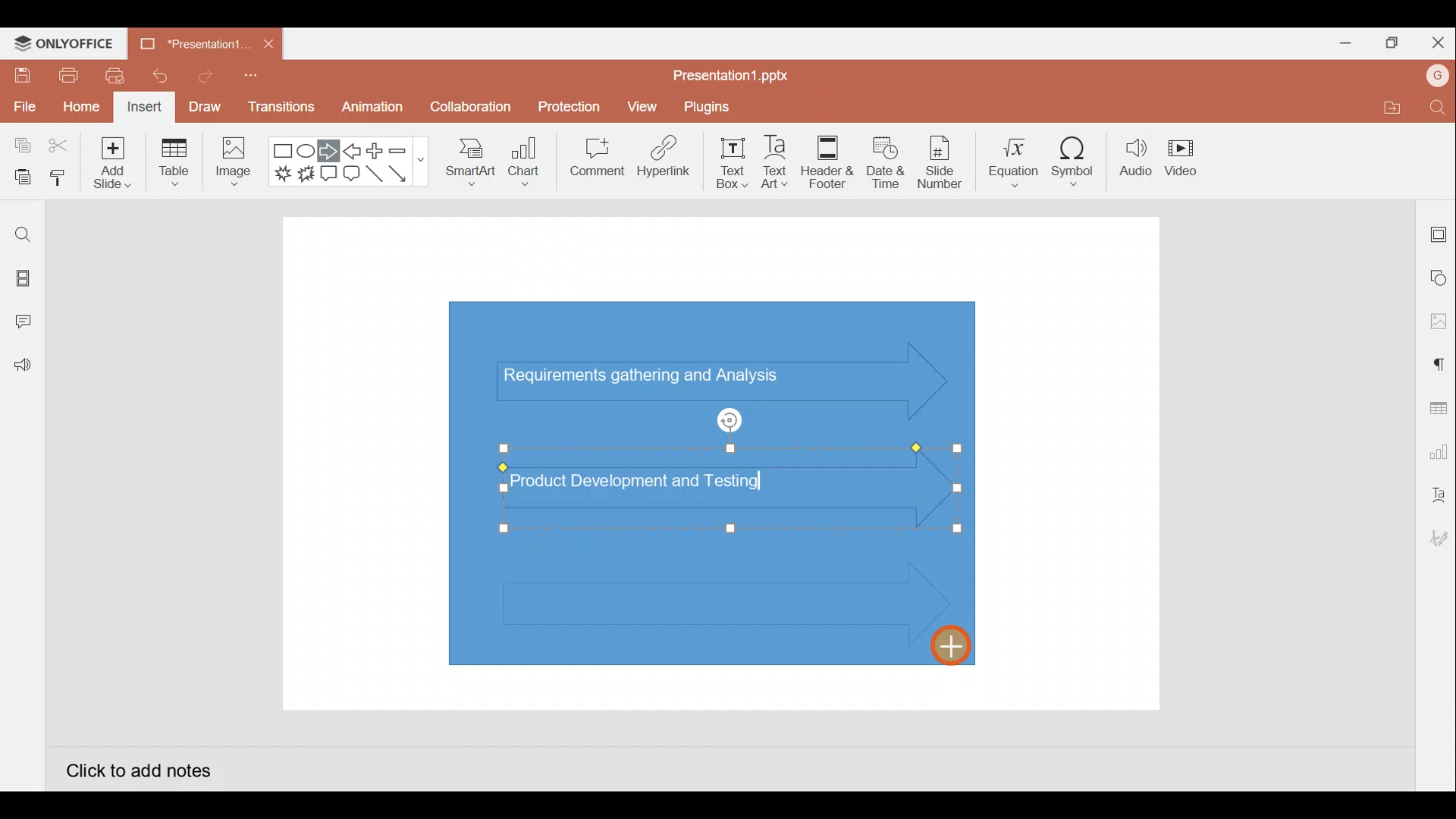  What do you see at coordinates (1388, 43) in the screenshot?
I see `Maximize` at bounding box center [1388, 43].